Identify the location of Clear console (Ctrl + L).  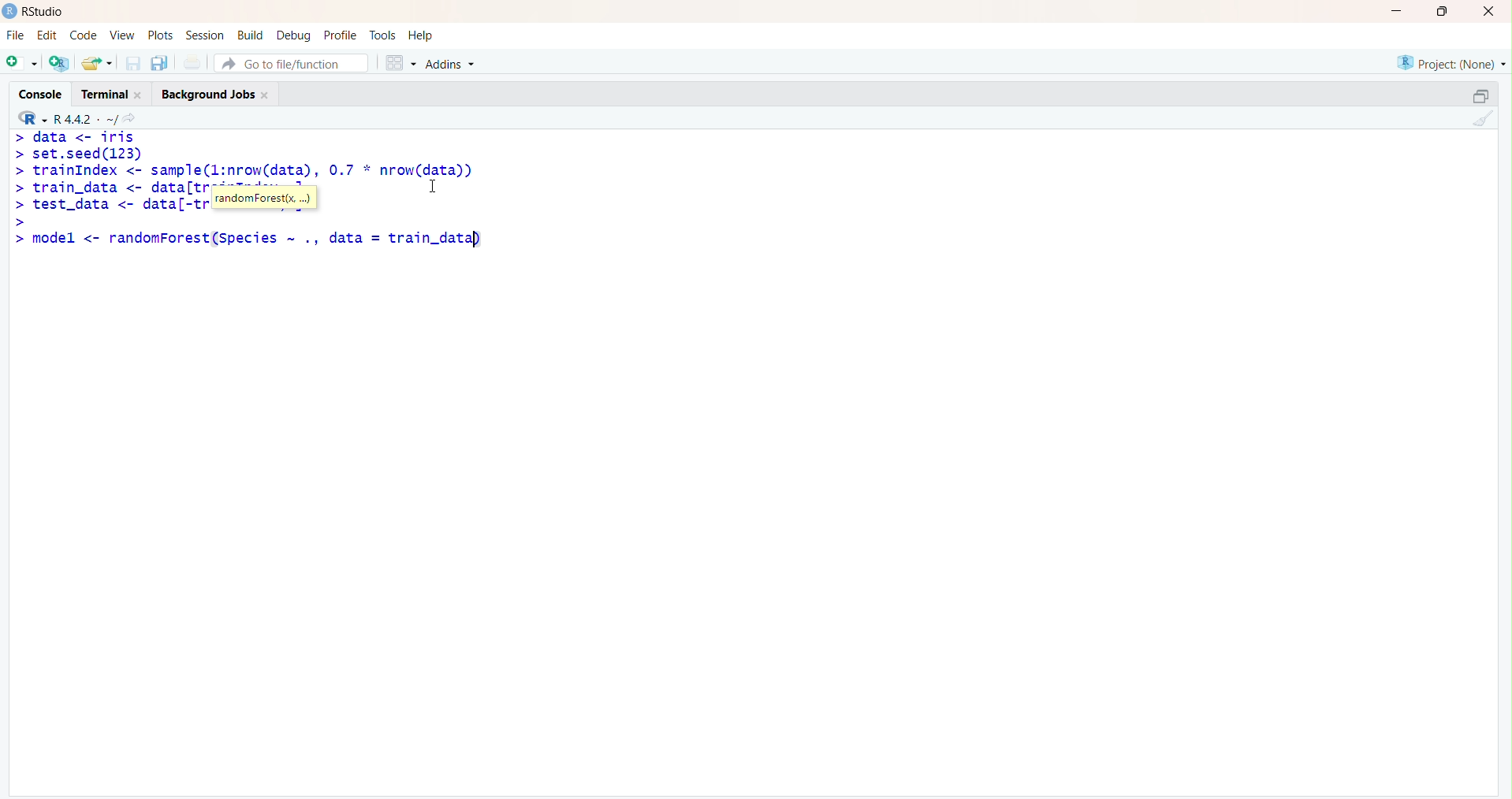
(1481, 120).